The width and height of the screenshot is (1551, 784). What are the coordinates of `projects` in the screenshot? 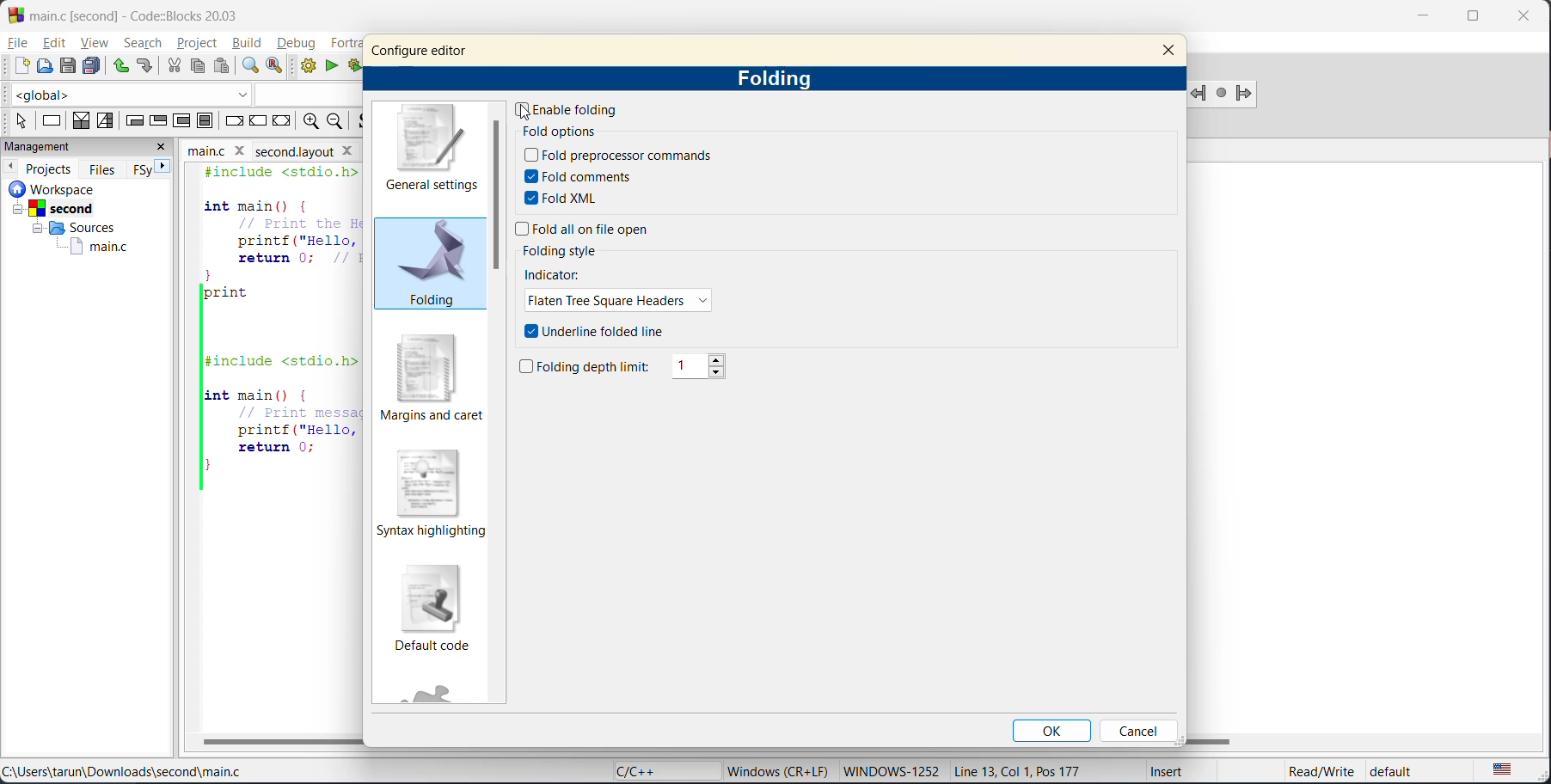 It's located at (51, 167).